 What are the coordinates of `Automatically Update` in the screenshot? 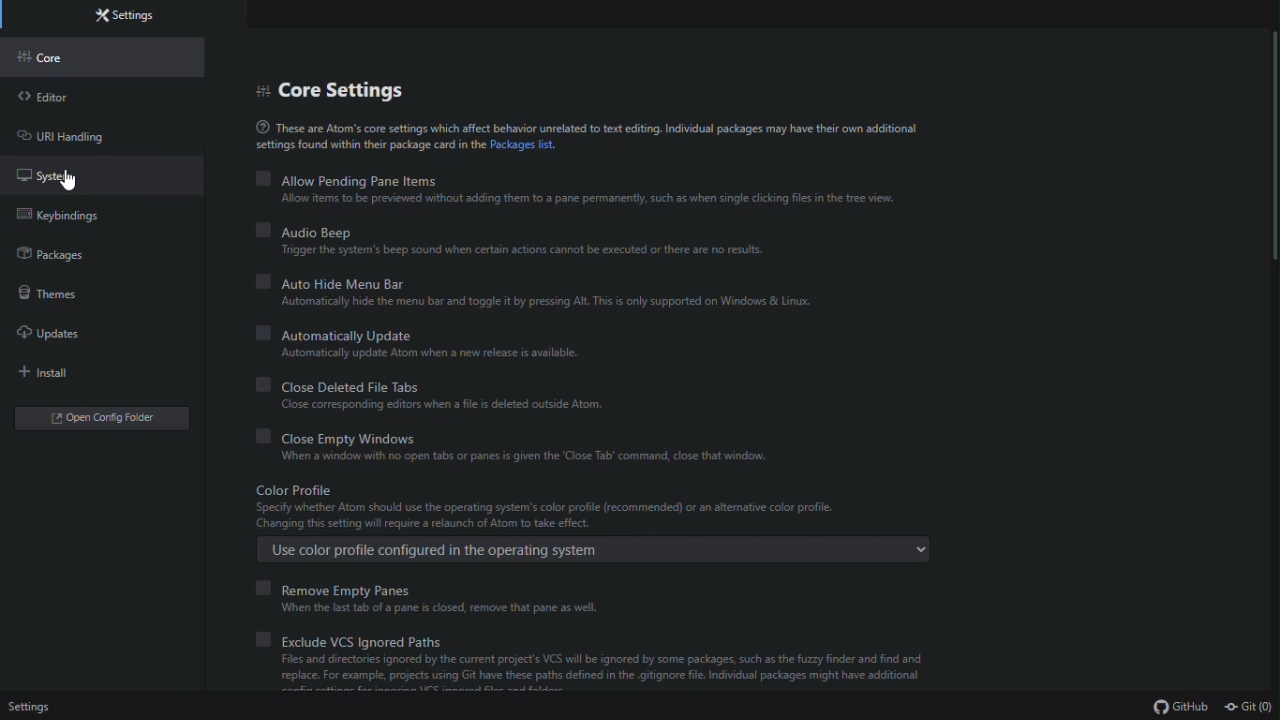 It's located at (343, 334).